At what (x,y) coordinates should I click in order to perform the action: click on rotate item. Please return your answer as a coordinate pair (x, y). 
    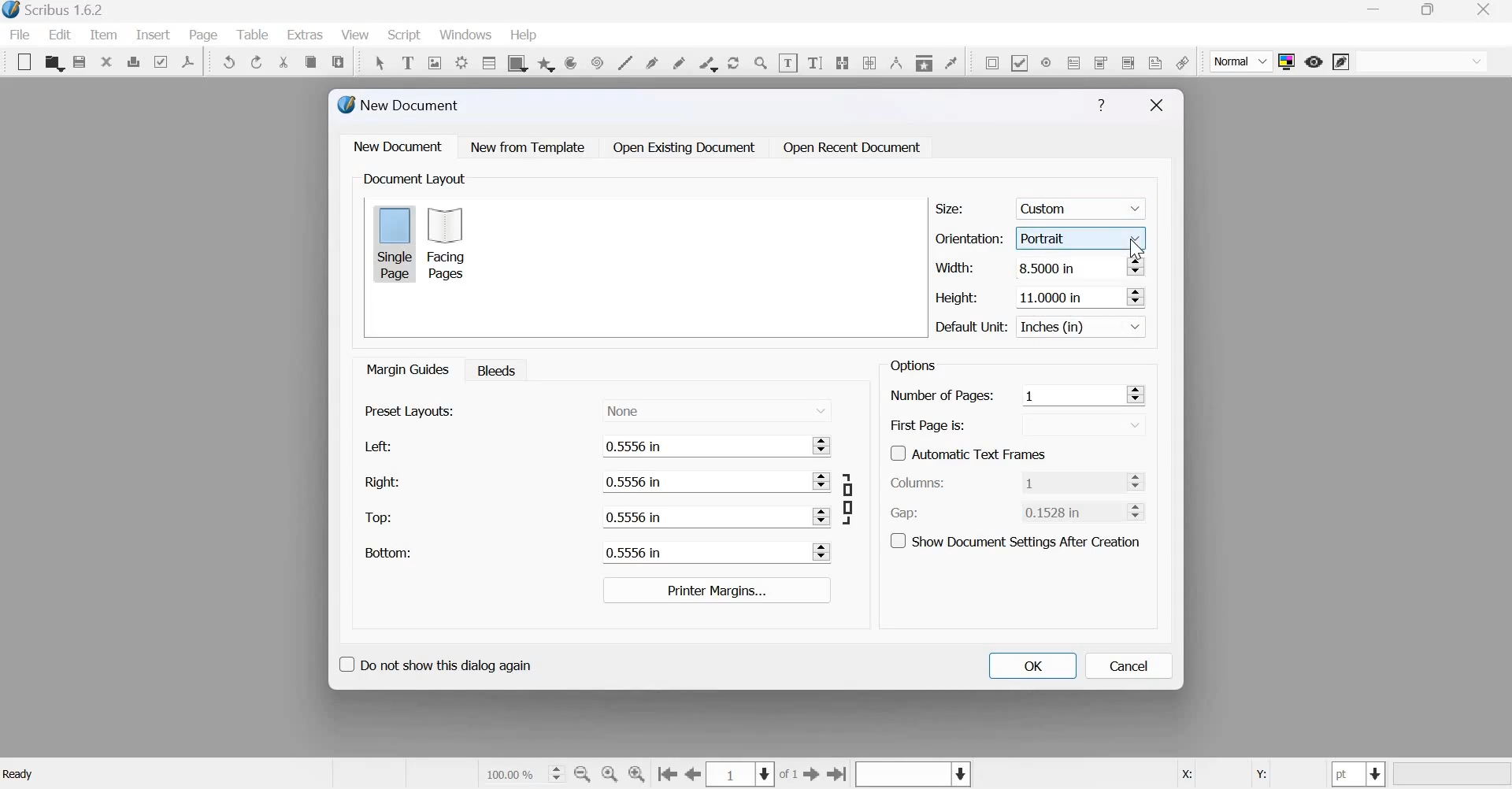
    Looking at the image, I should click on (732, 61).